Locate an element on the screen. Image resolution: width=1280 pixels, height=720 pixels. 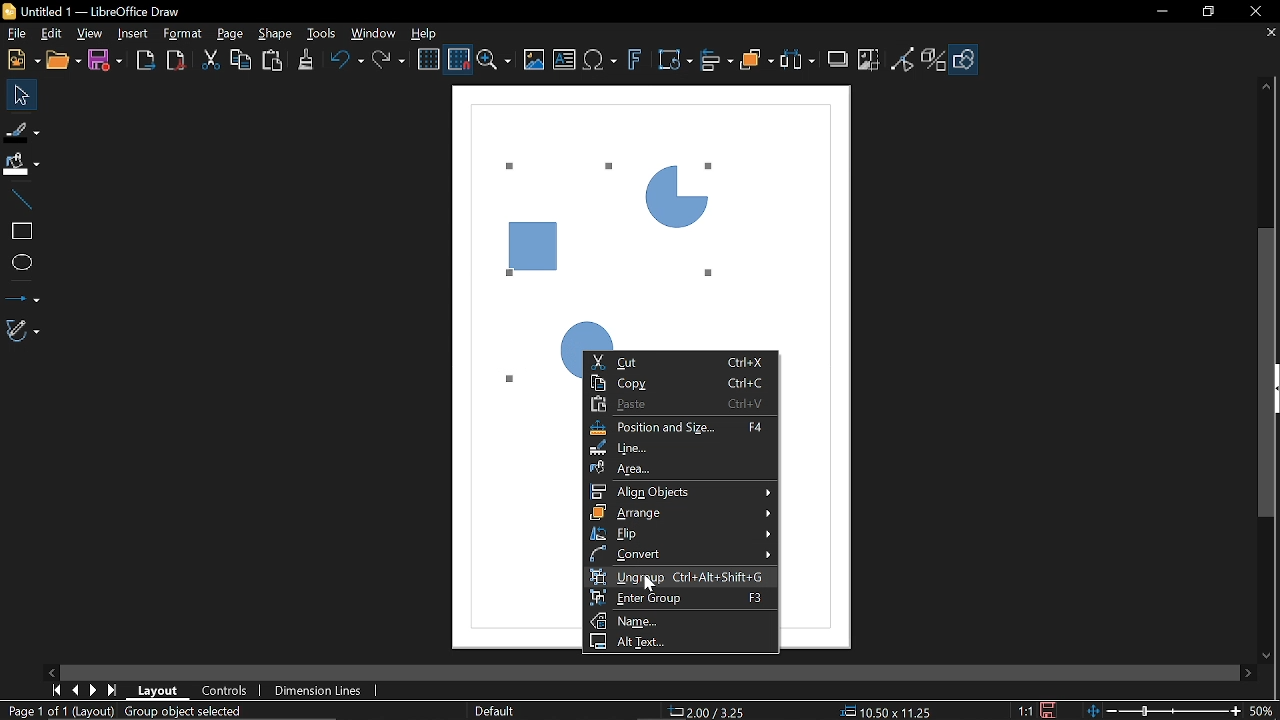
Zoom is located at coordinates (497, 60).